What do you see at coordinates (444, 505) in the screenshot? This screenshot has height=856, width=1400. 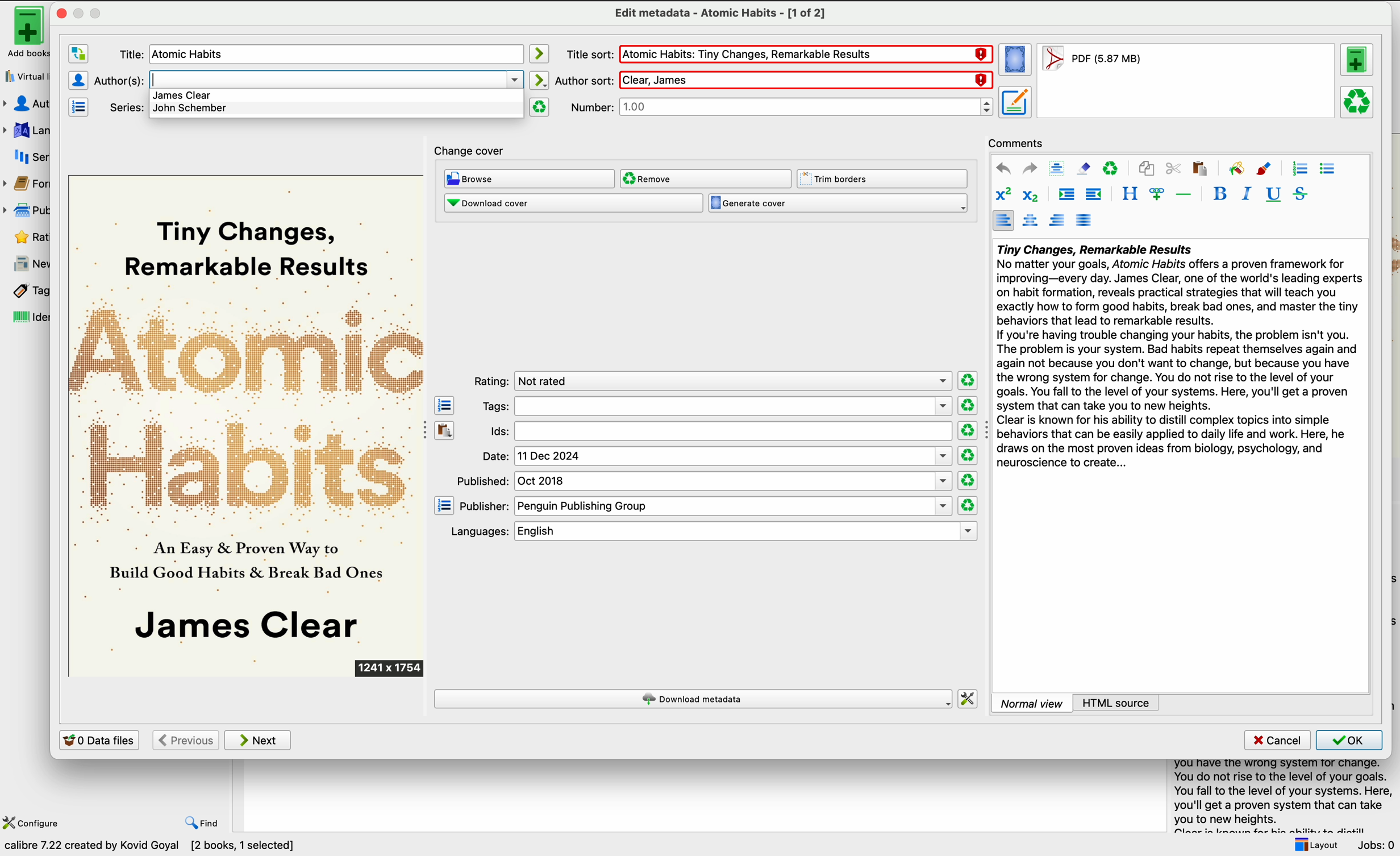 I see `open the manage publisher editor` at bounding box center [444, 505].